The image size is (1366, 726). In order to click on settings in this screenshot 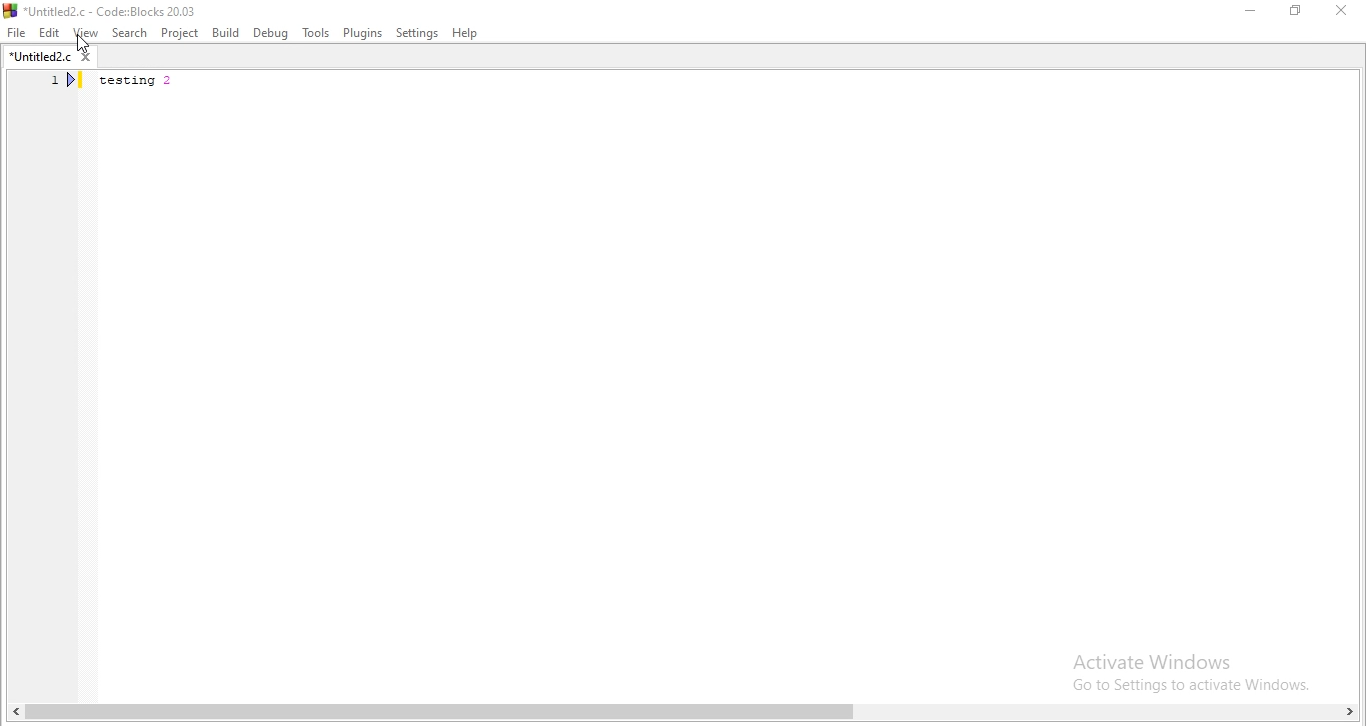, I will do `click(415, 32)`.